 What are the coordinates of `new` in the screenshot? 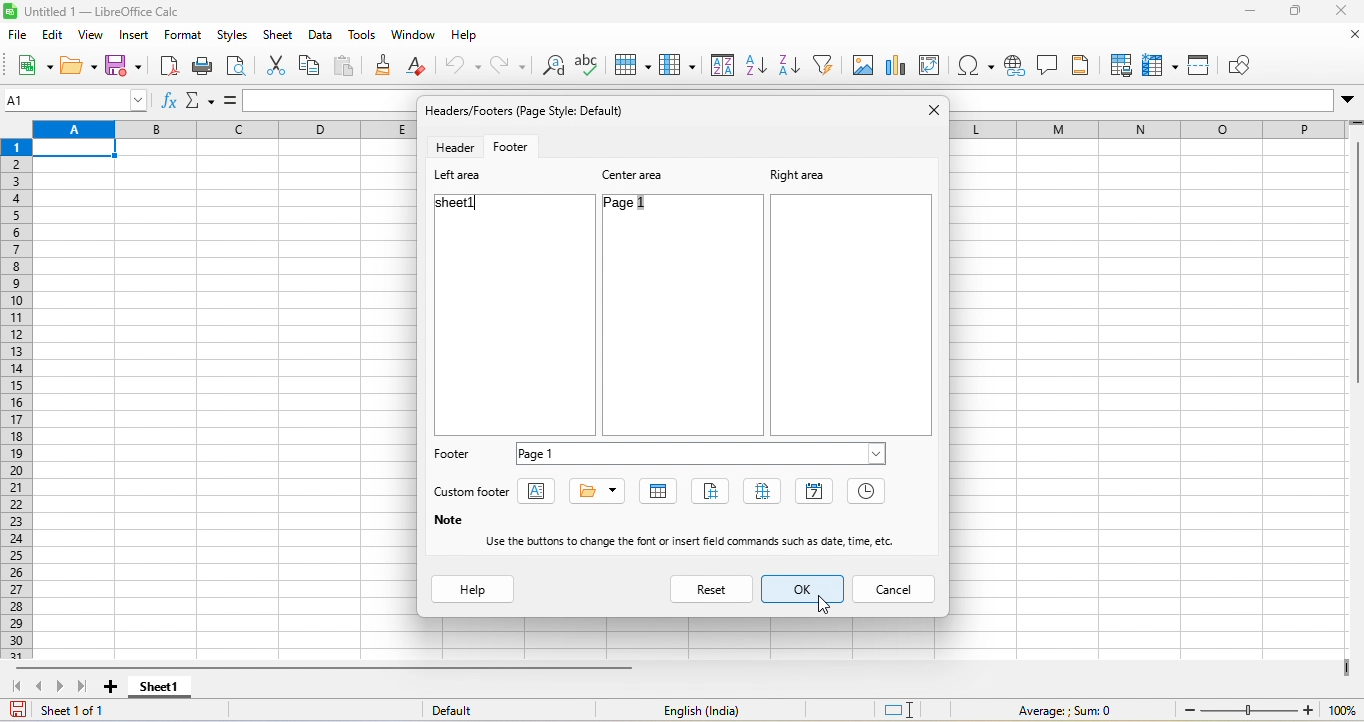 It's located at (32, 67).